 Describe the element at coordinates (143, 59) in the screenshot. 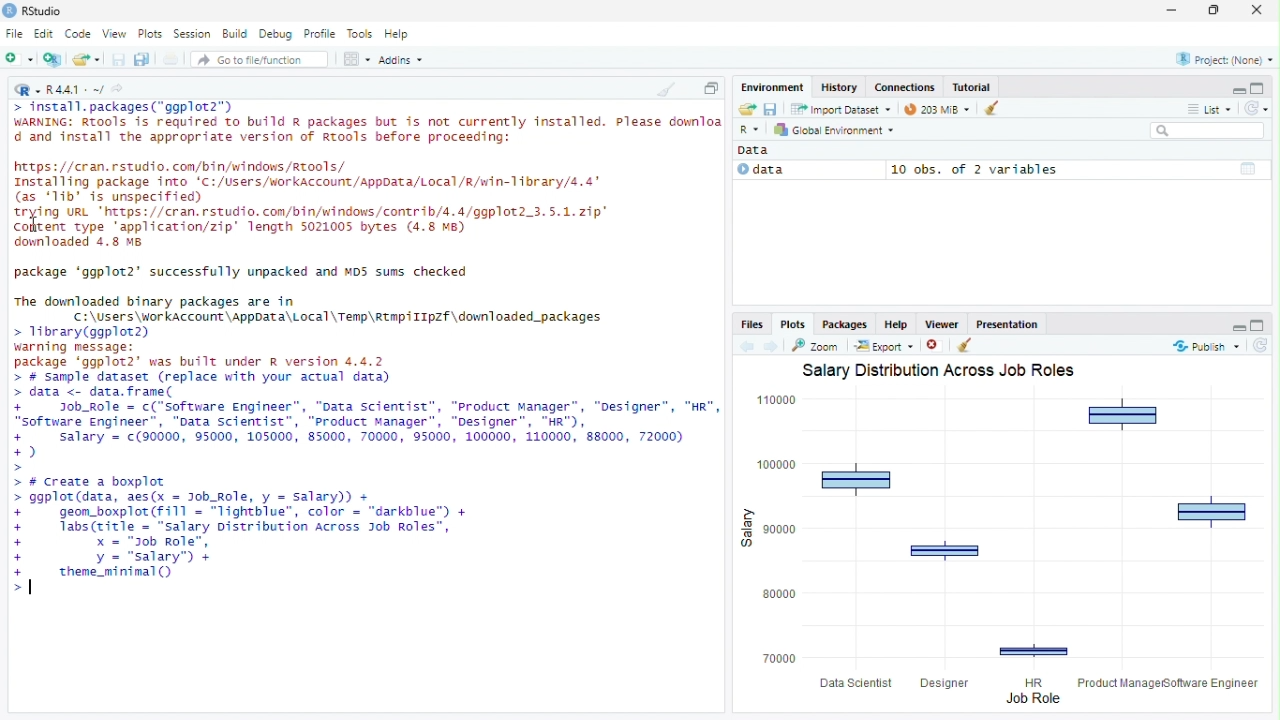

I see `save all open documents` at that location.